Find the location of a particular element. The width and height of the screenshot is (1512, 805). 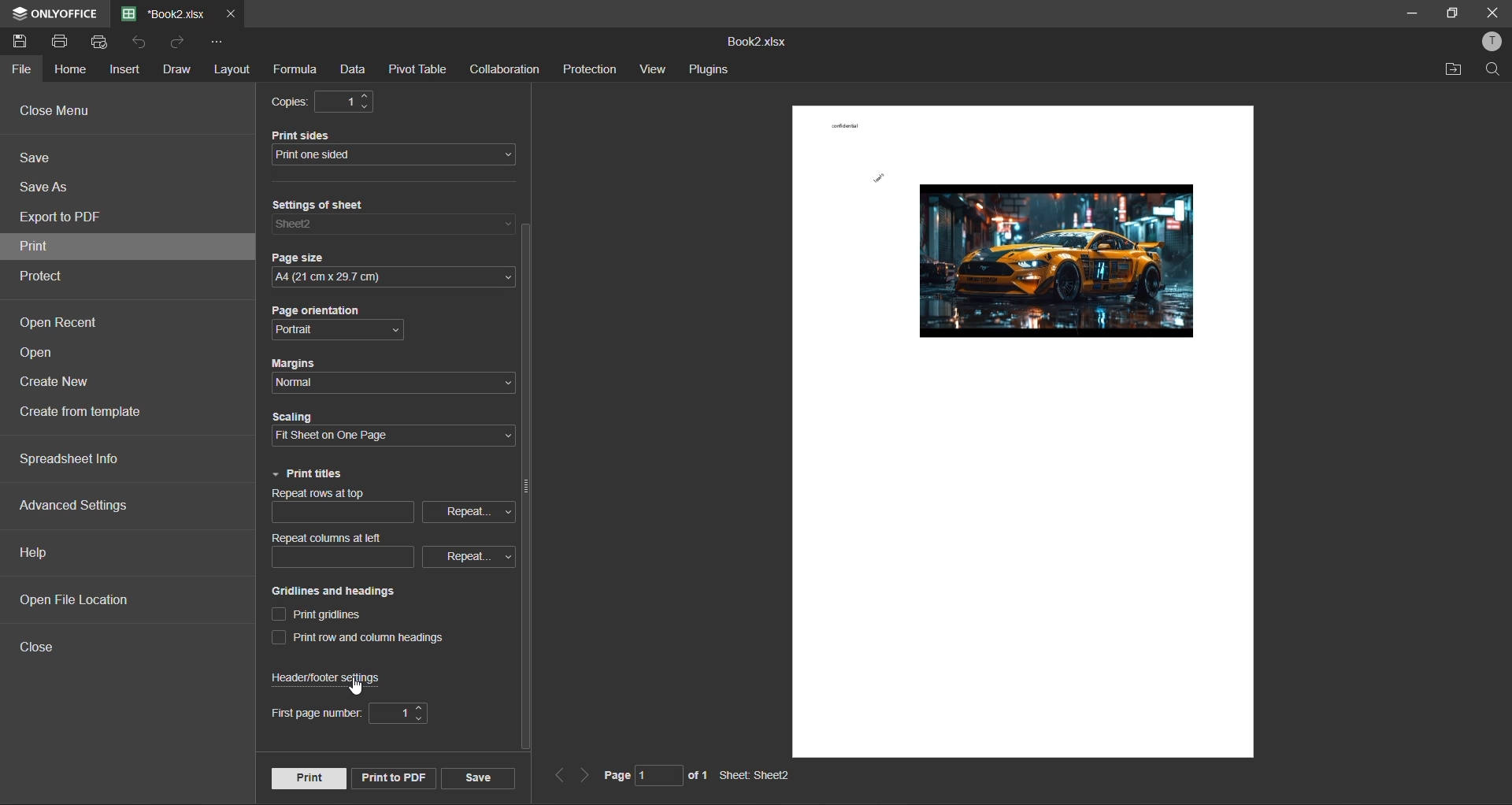

layout is located at coordinates (232, 68).